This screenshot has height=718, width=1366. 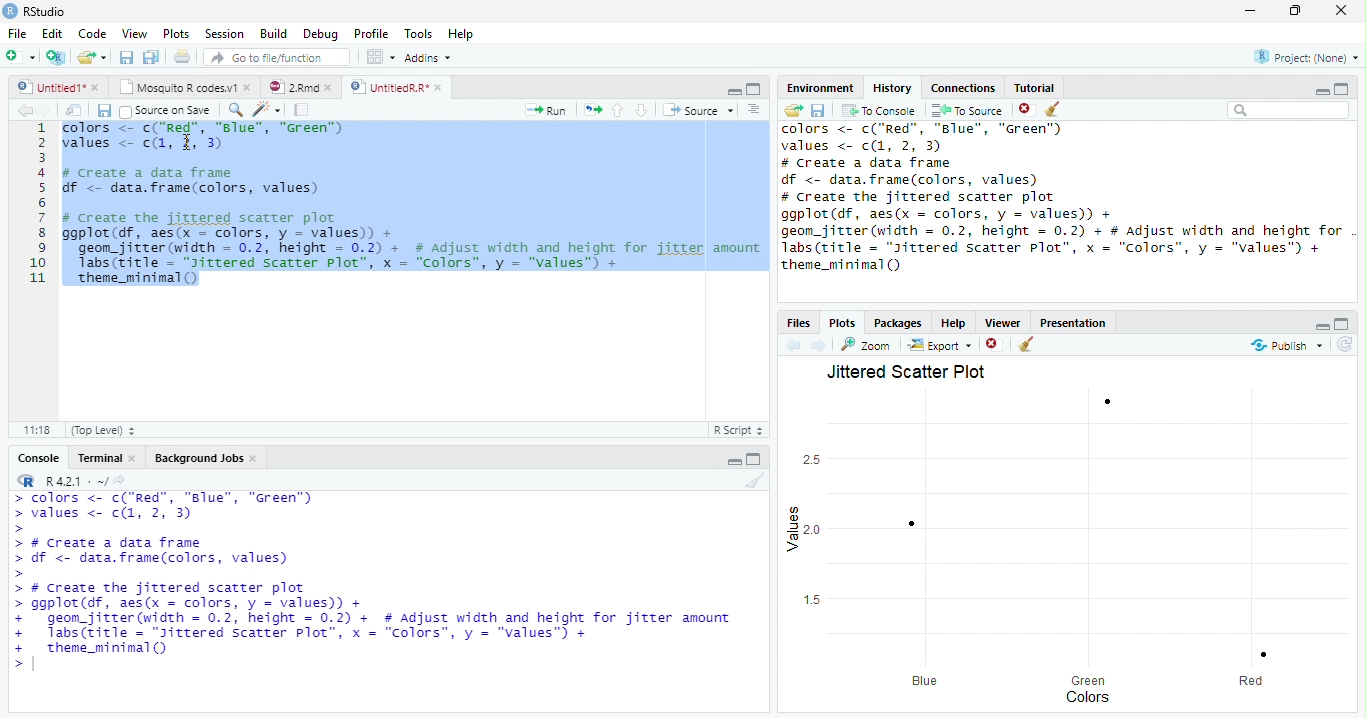 I want to click on Clear all plots, so click(x=1025, y=344).